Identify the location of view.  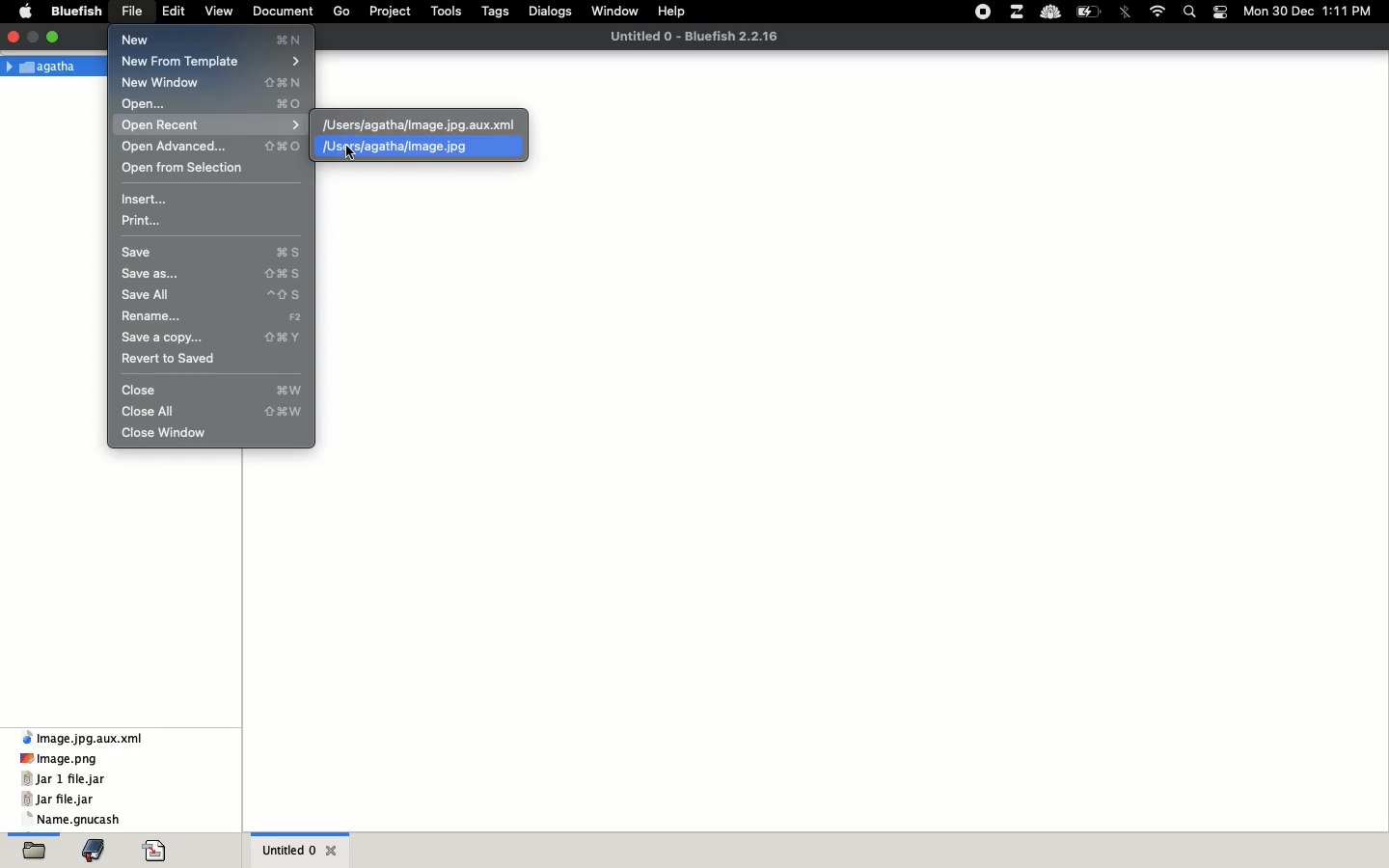
(222, 9).